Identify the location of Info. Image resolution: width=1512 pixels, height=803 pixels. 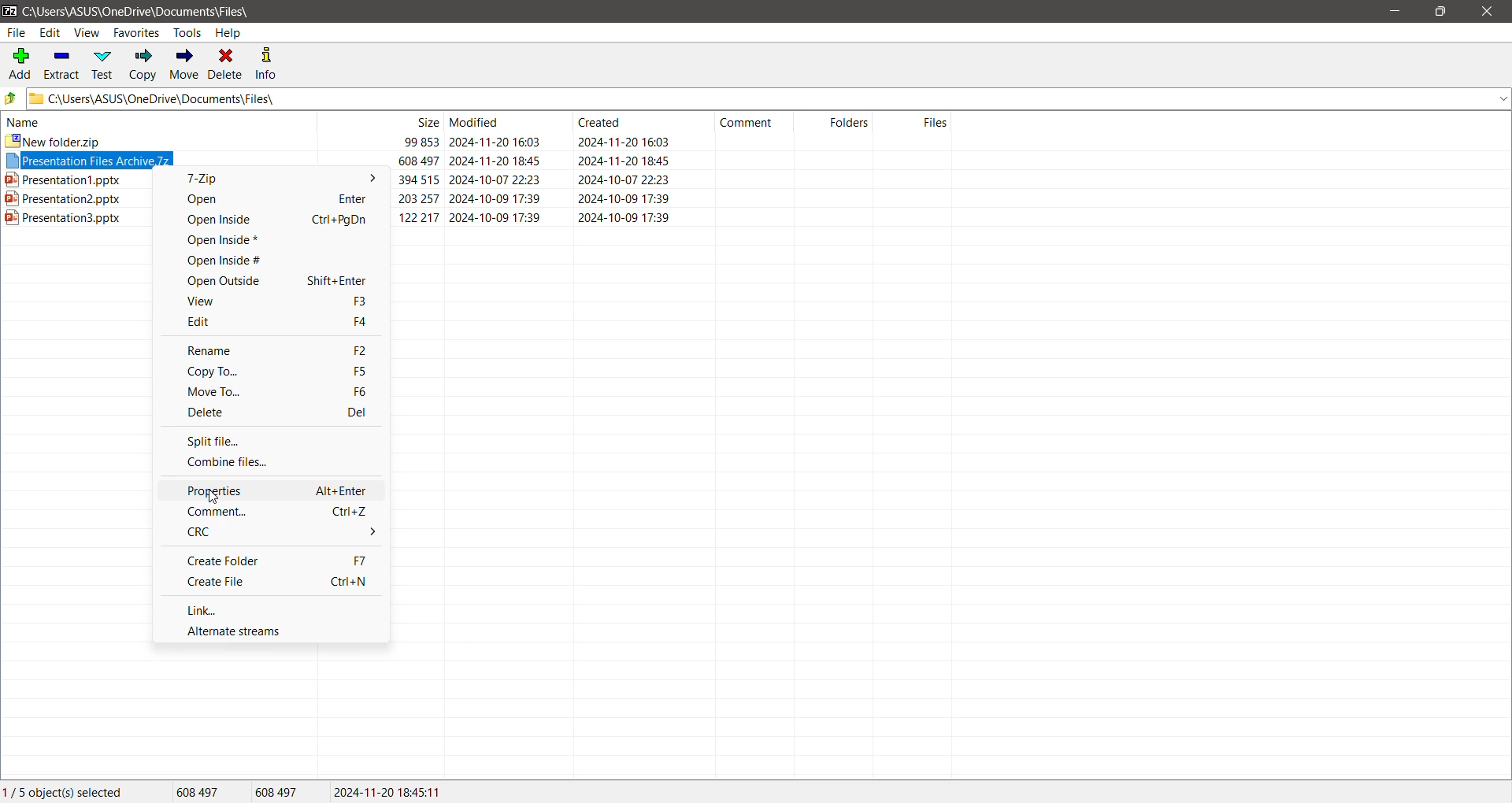
(268, 65).